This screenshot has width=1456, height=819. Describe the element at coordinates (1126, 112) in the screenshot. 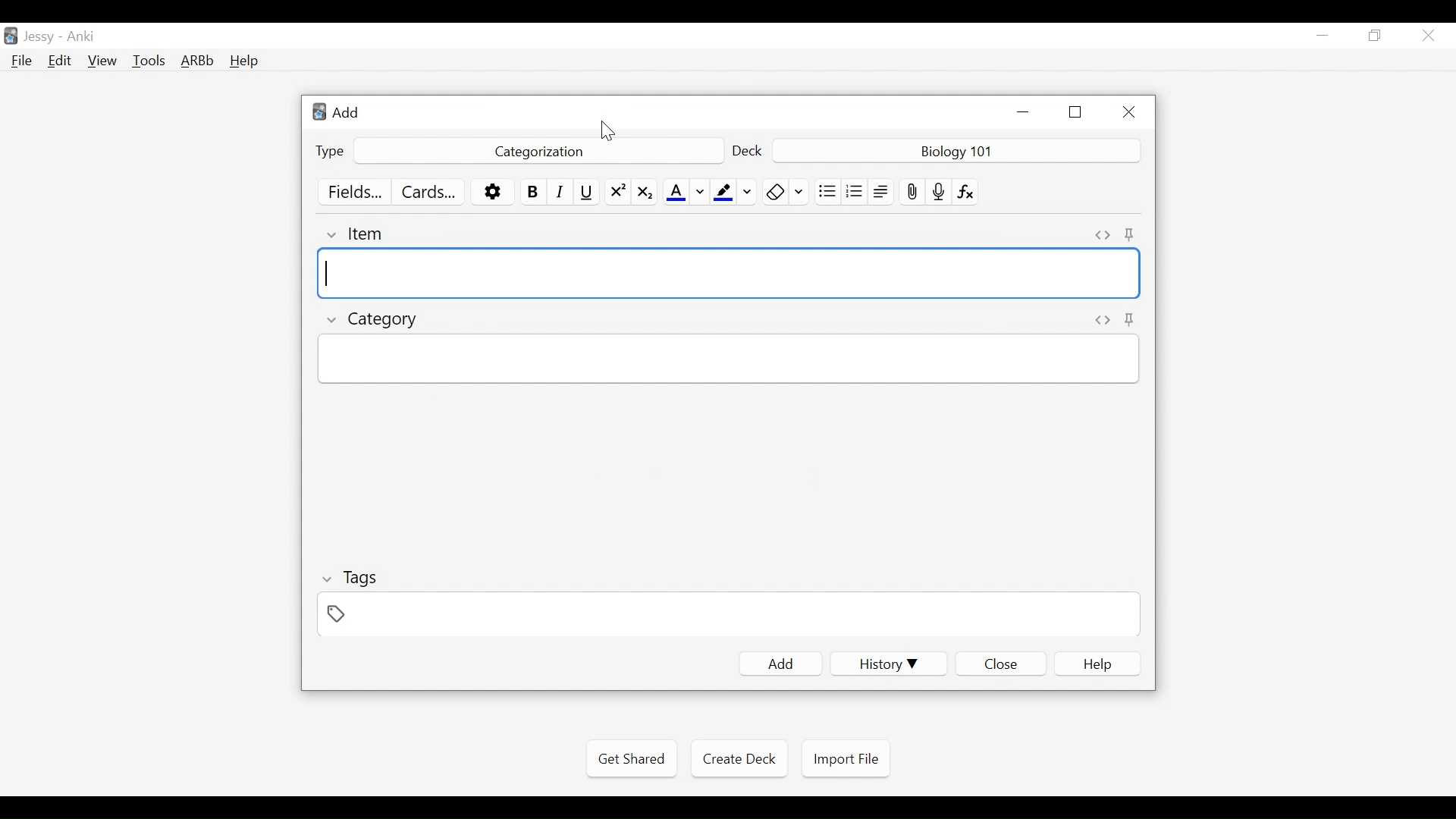

I see `Close` at that location.